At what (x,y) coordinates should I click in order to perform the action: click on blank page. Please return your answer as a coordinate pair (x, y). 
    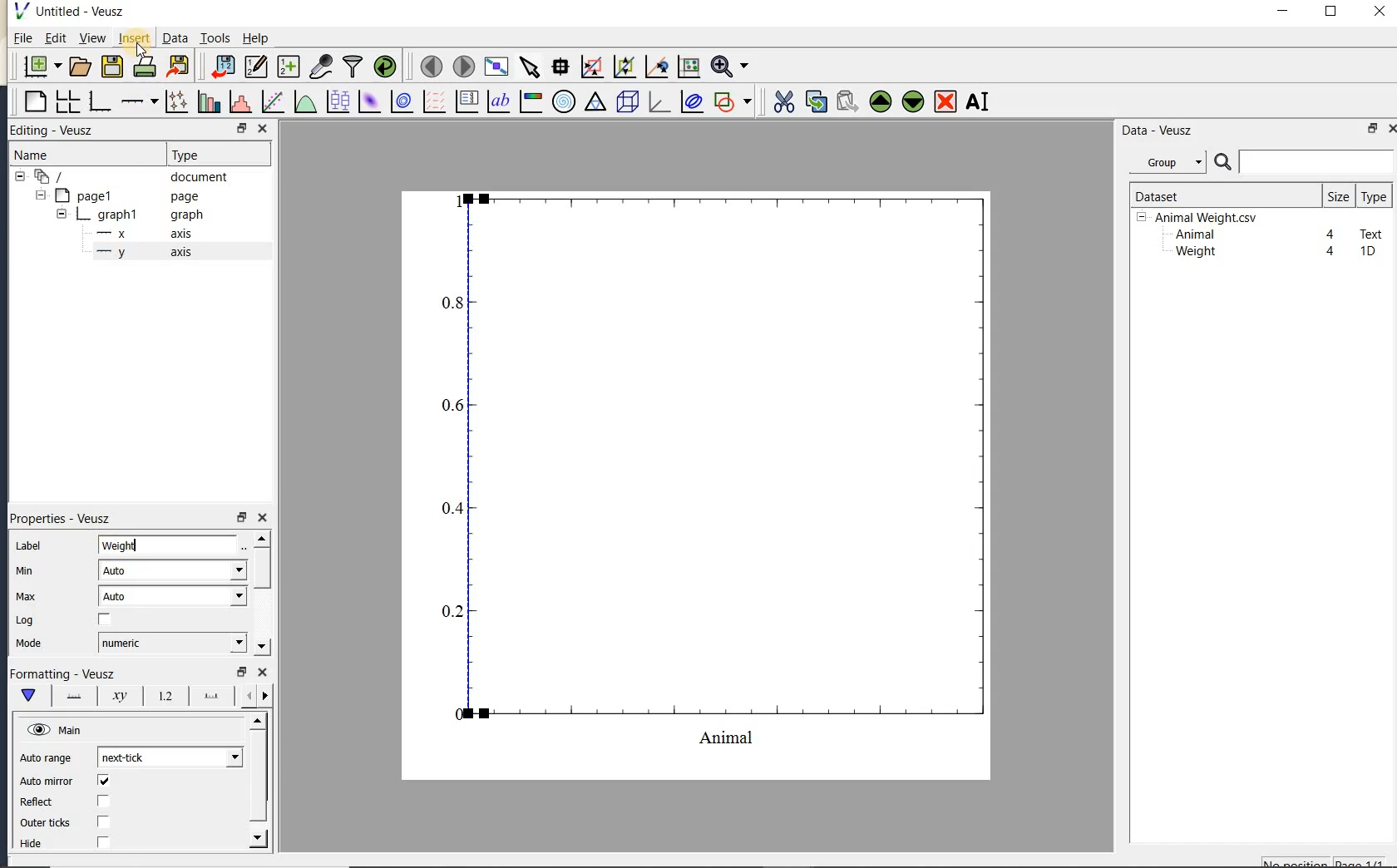
    Looking at the image, I should click on (33, 102).